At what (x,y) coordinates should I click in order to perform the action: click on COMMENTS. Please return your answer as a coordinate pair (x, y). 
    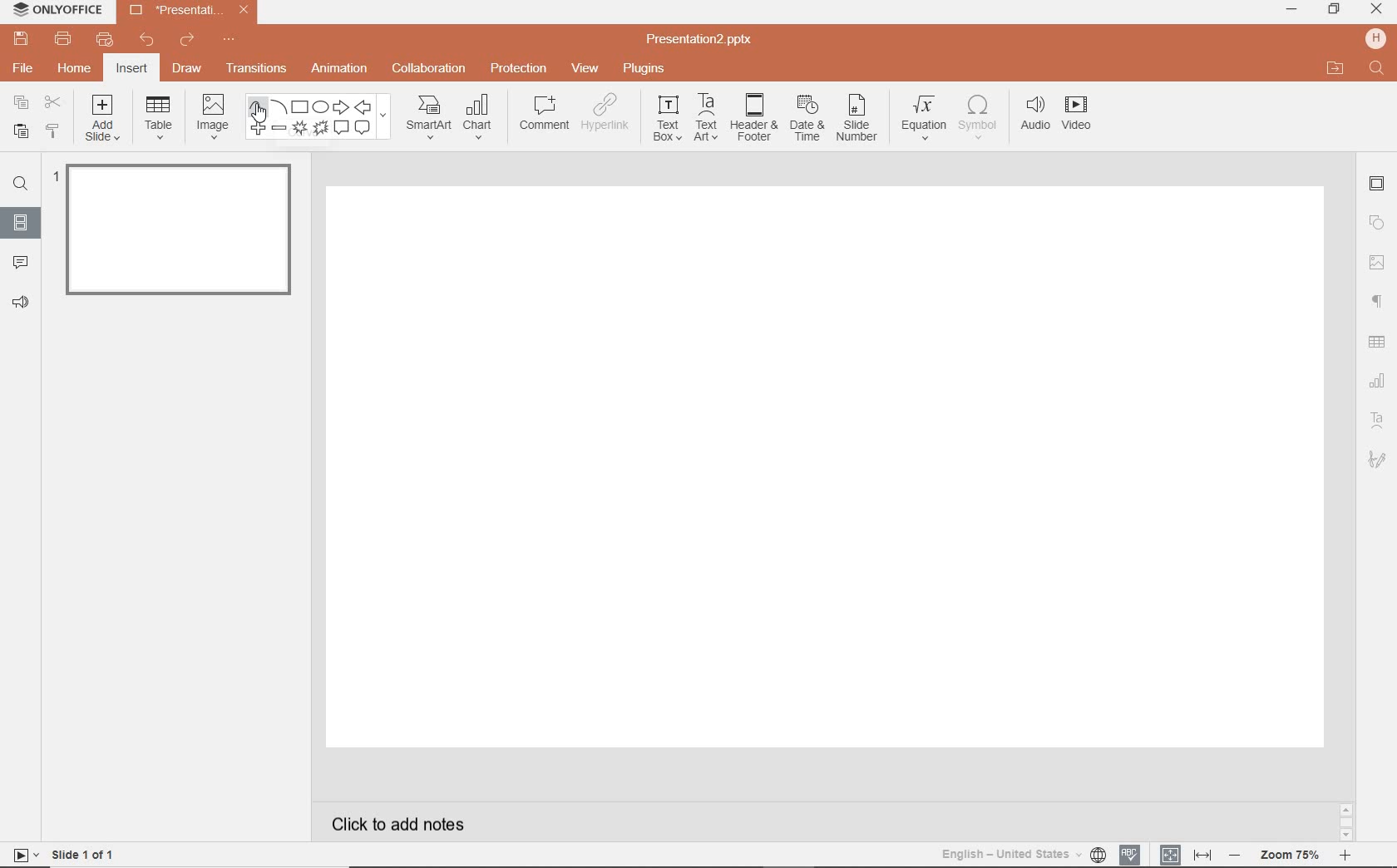
    Looking at the image, I should click on (18, 261).